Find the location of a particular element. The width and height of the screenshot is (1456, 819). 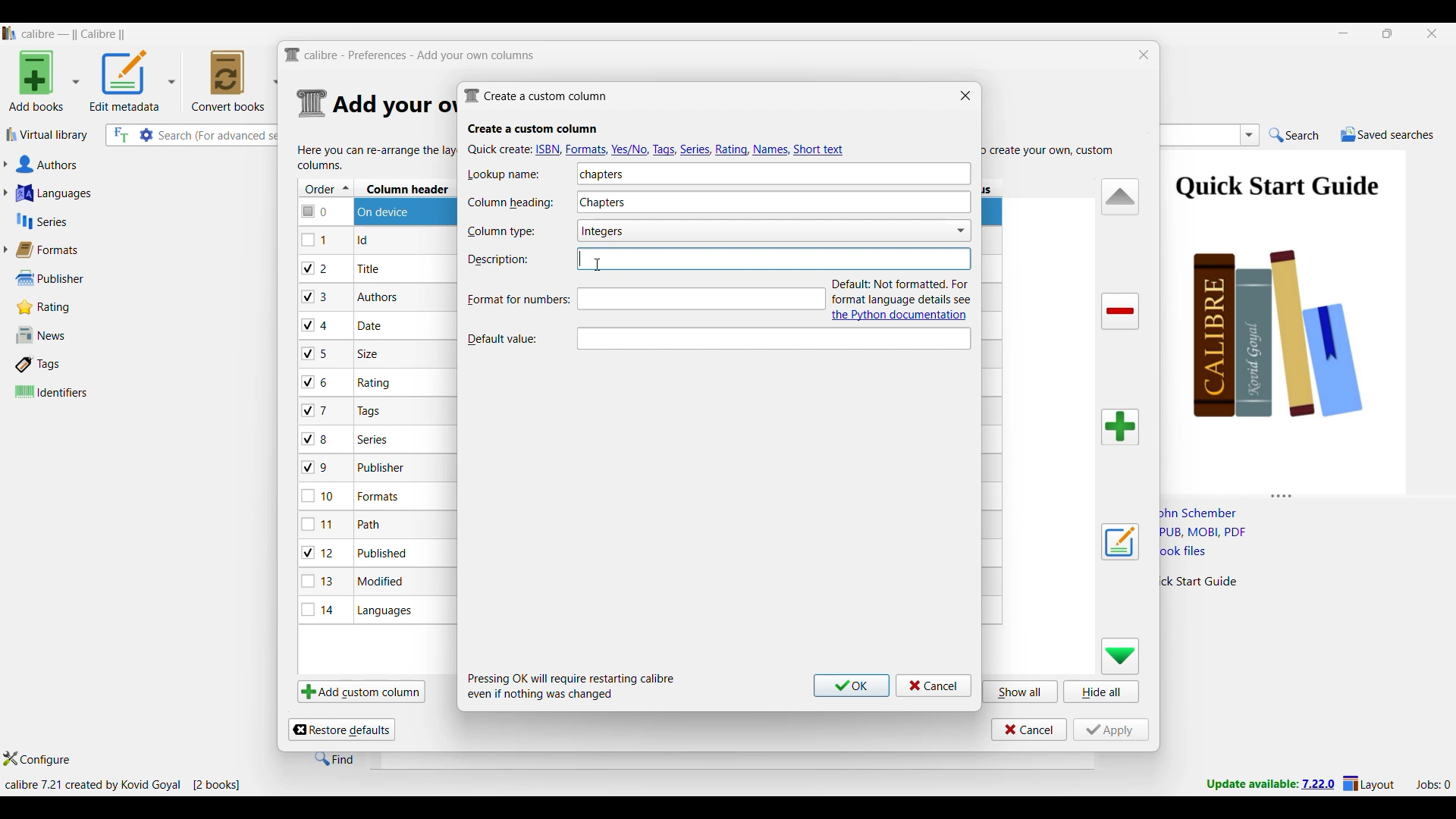

Logo of current settings is located at coordinates (312, 104).